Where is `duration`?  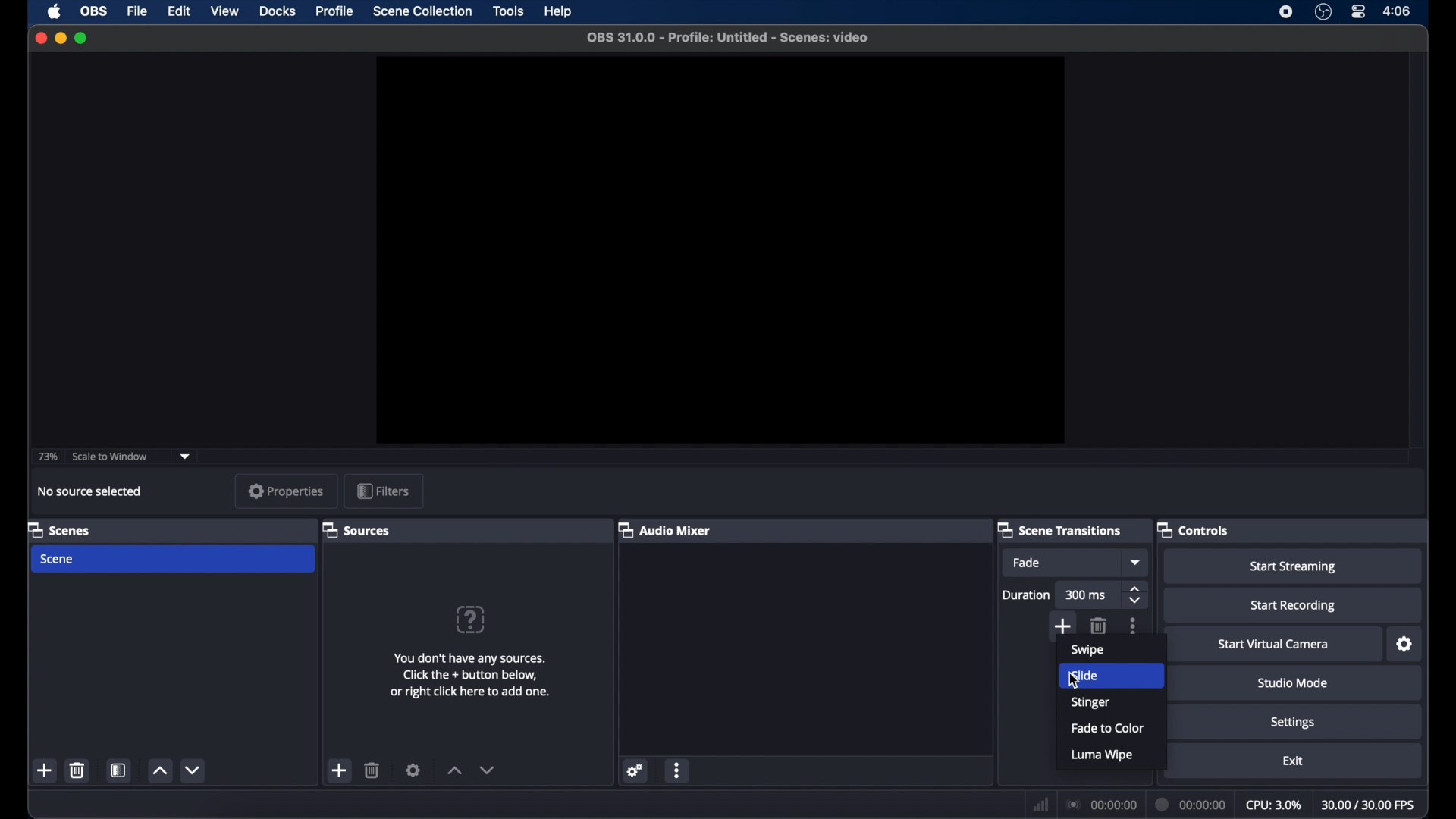
duration is located at coordinates (1191, 804).